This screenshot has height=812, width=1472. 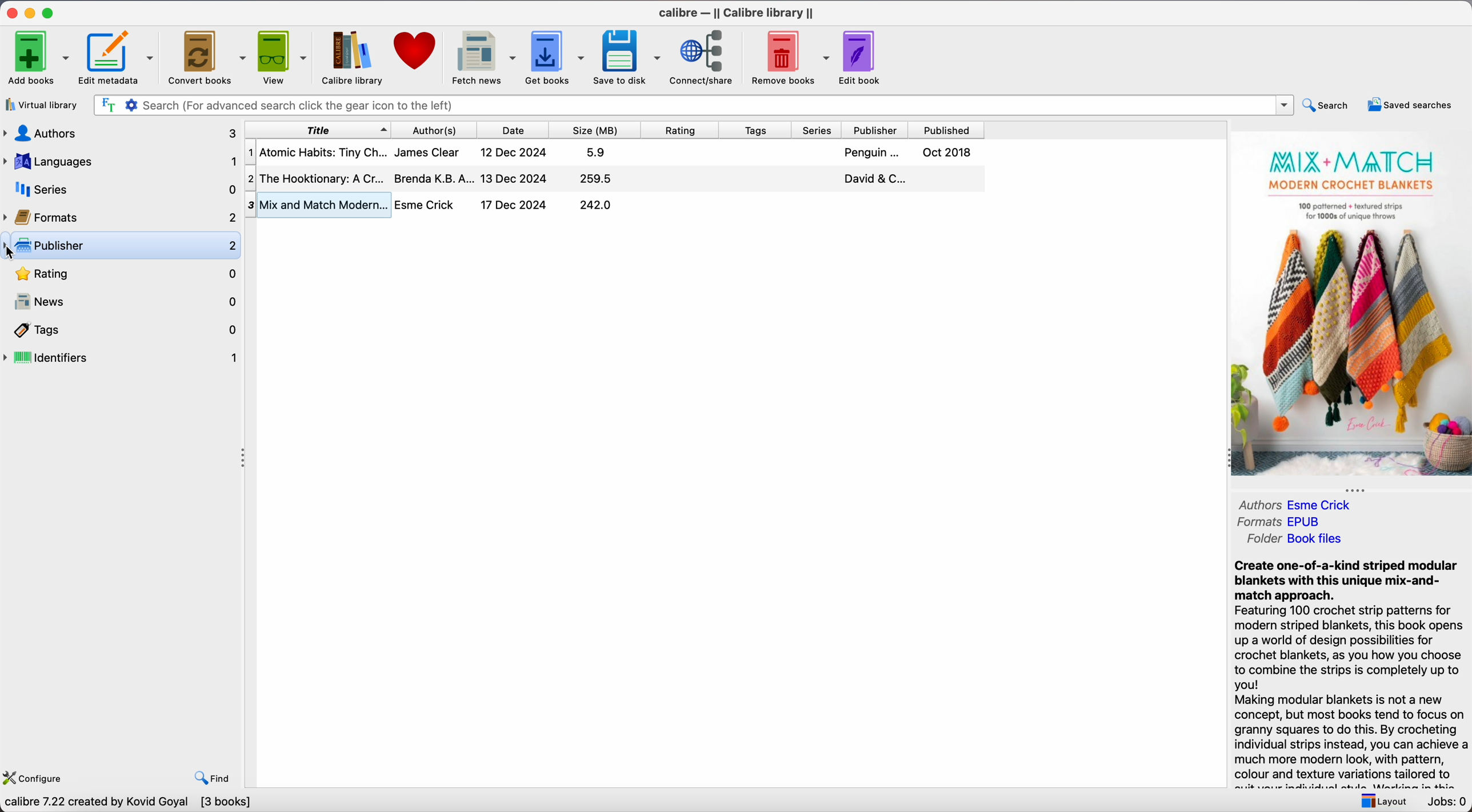 What do you see at coordinates (1301, 503) in the screenshot?
I see `Authors Esme Crick` at bounding box center [1301, 503].